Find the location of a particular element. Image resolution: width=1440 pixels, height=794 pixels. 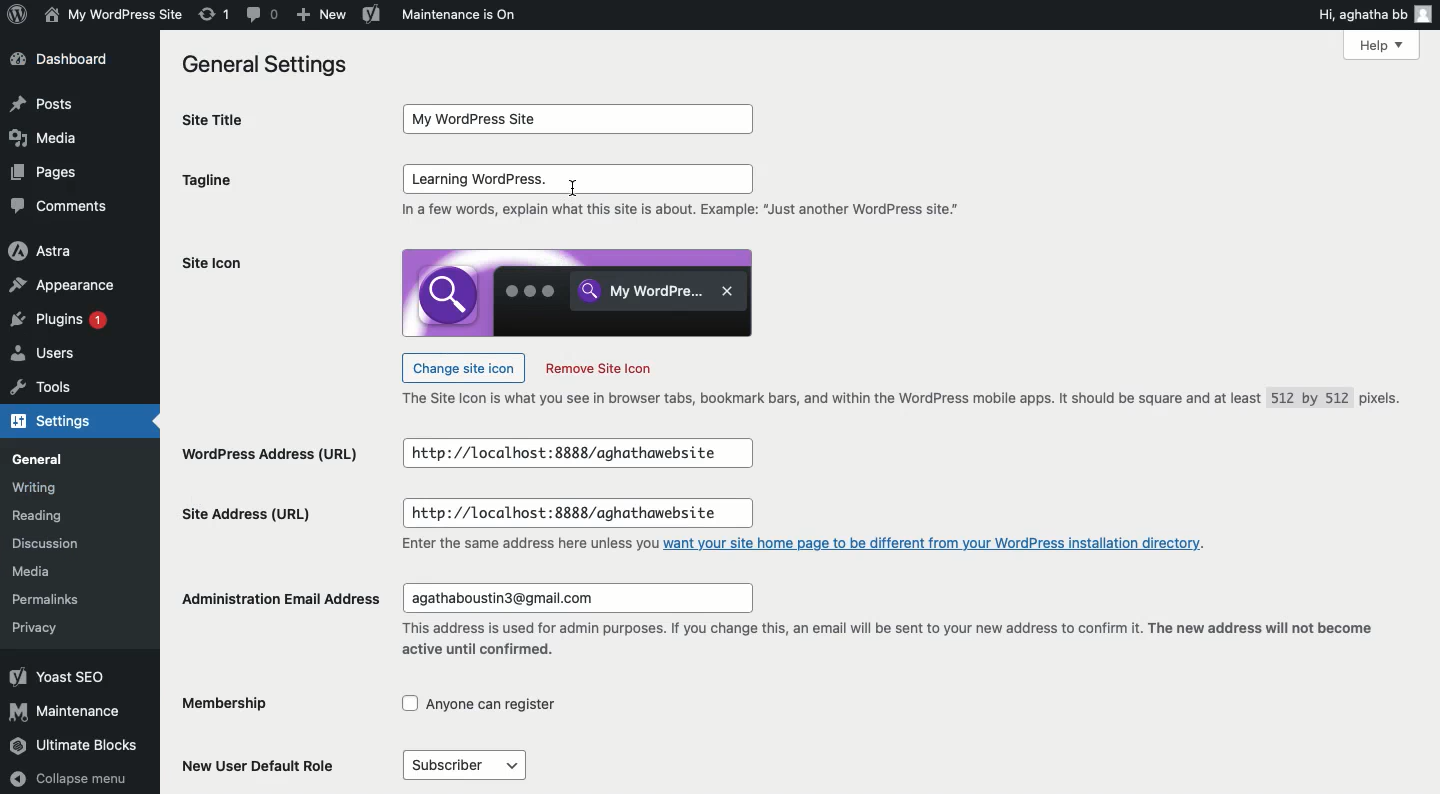

input box is located at coordinates (576, 453).